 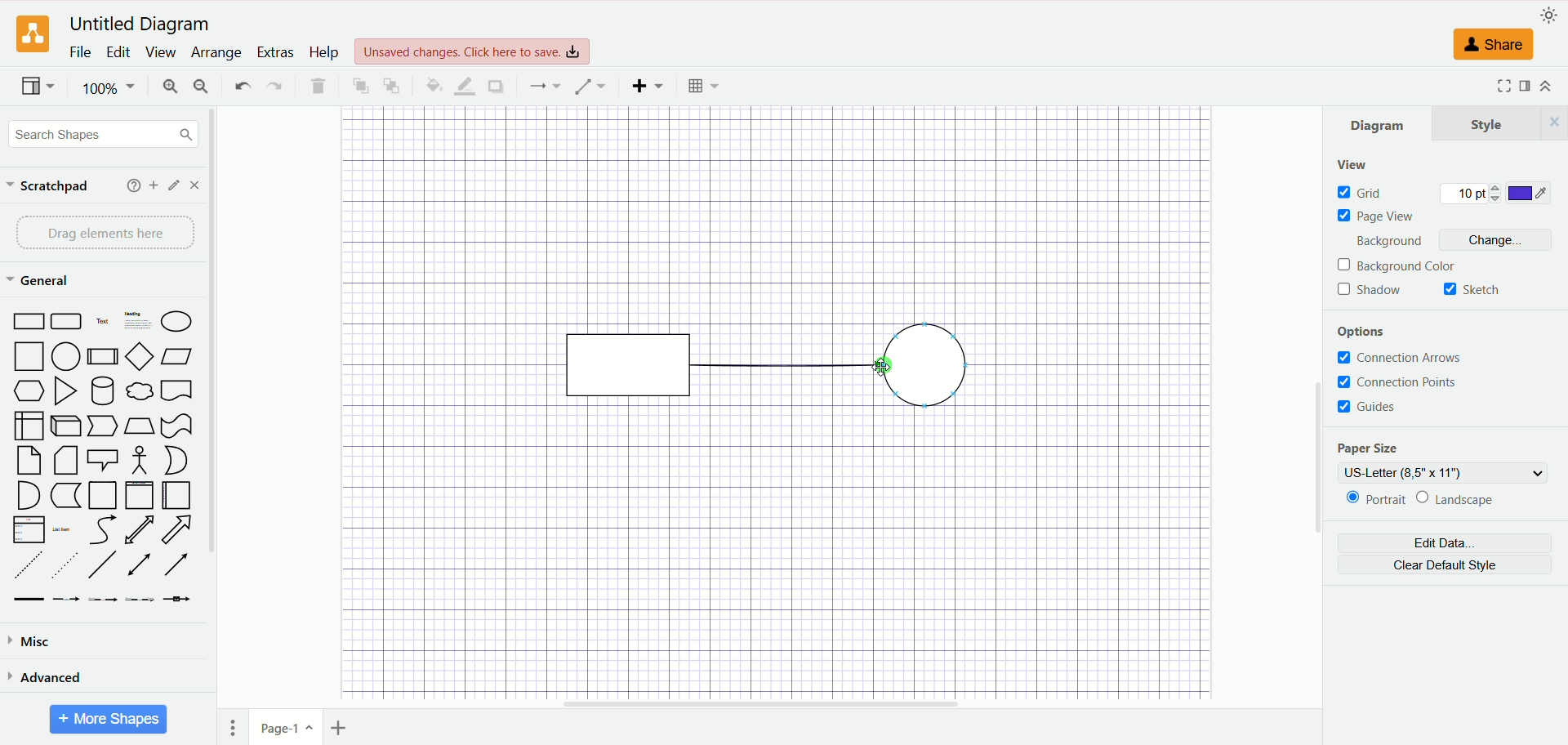 I want to click on search shapes, so click(x=100, y=134).